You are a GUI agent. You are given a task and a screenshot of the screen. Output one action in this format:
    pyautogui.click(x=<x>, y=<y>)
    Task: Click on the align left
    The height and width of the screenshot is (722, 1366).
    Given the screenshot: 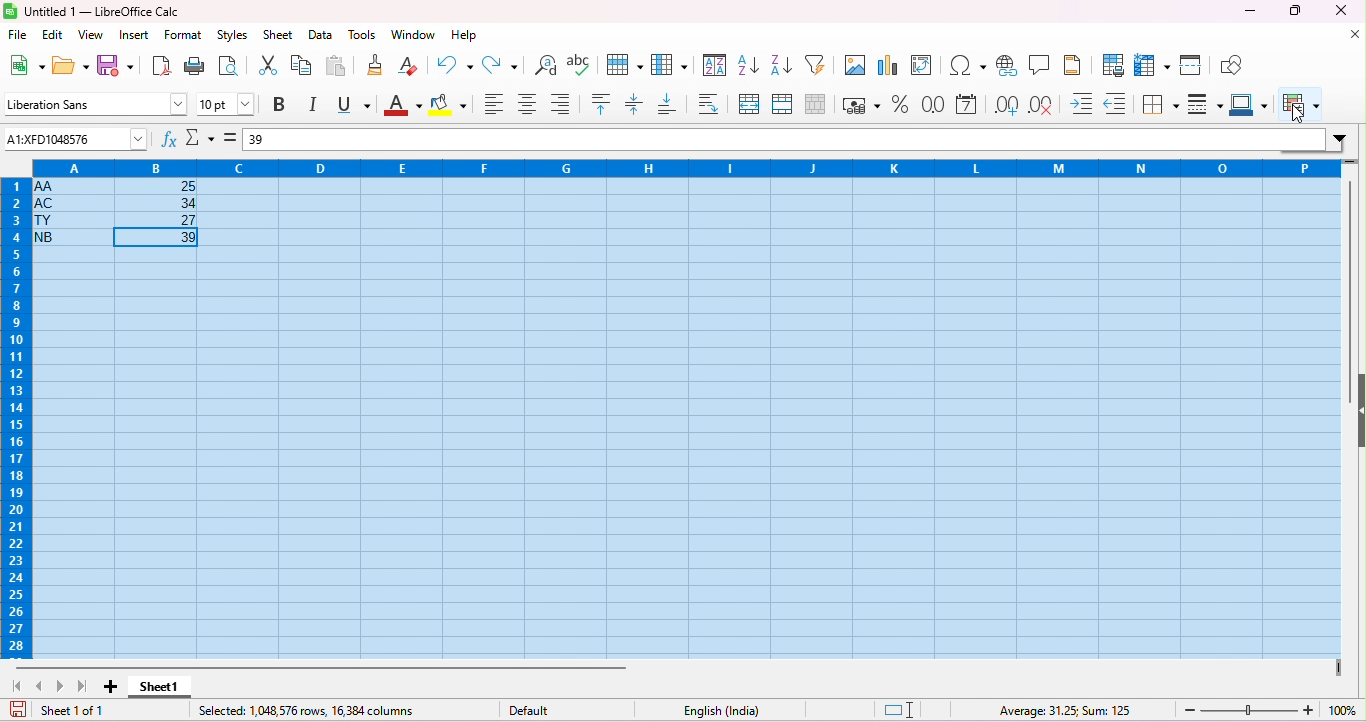 What is the action you would take?
    pyautogui.click(x=494, y=106)
    